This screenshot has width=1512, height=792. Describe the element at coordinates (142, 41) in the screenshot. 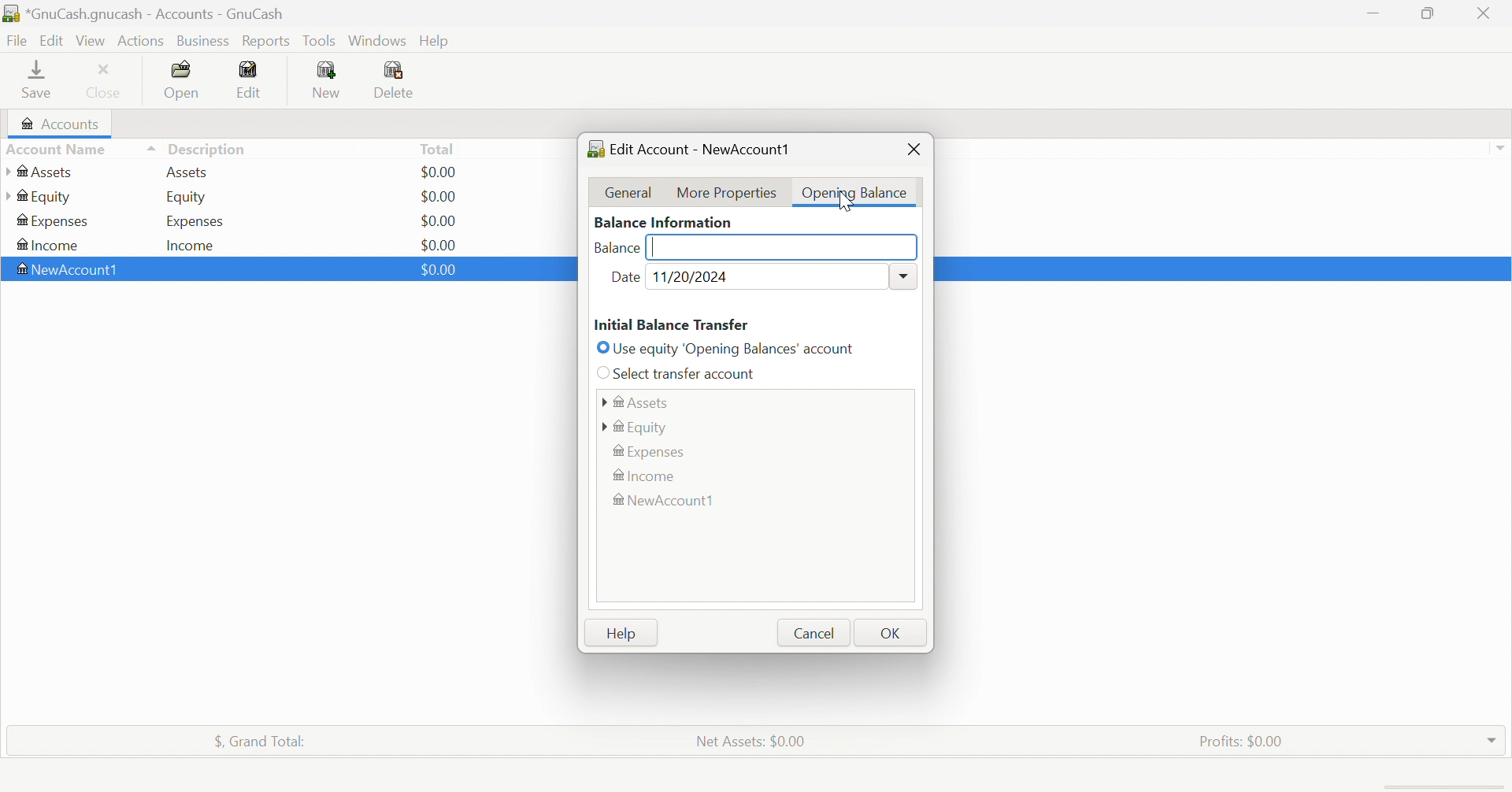

I see `Actions` at that location.